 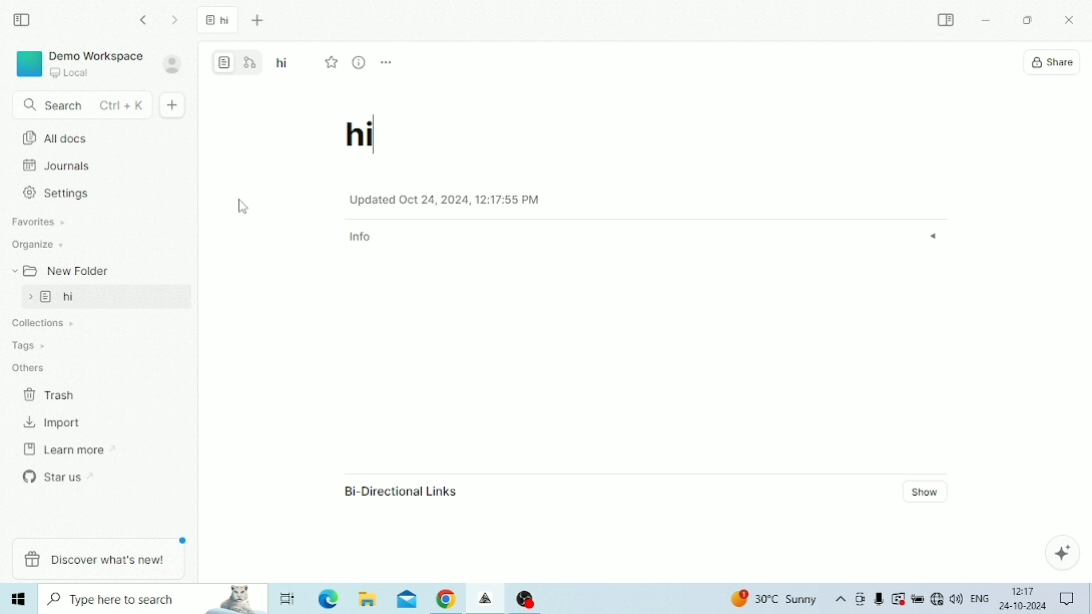 I want to click on Temperature, so click(x=776, y=599).